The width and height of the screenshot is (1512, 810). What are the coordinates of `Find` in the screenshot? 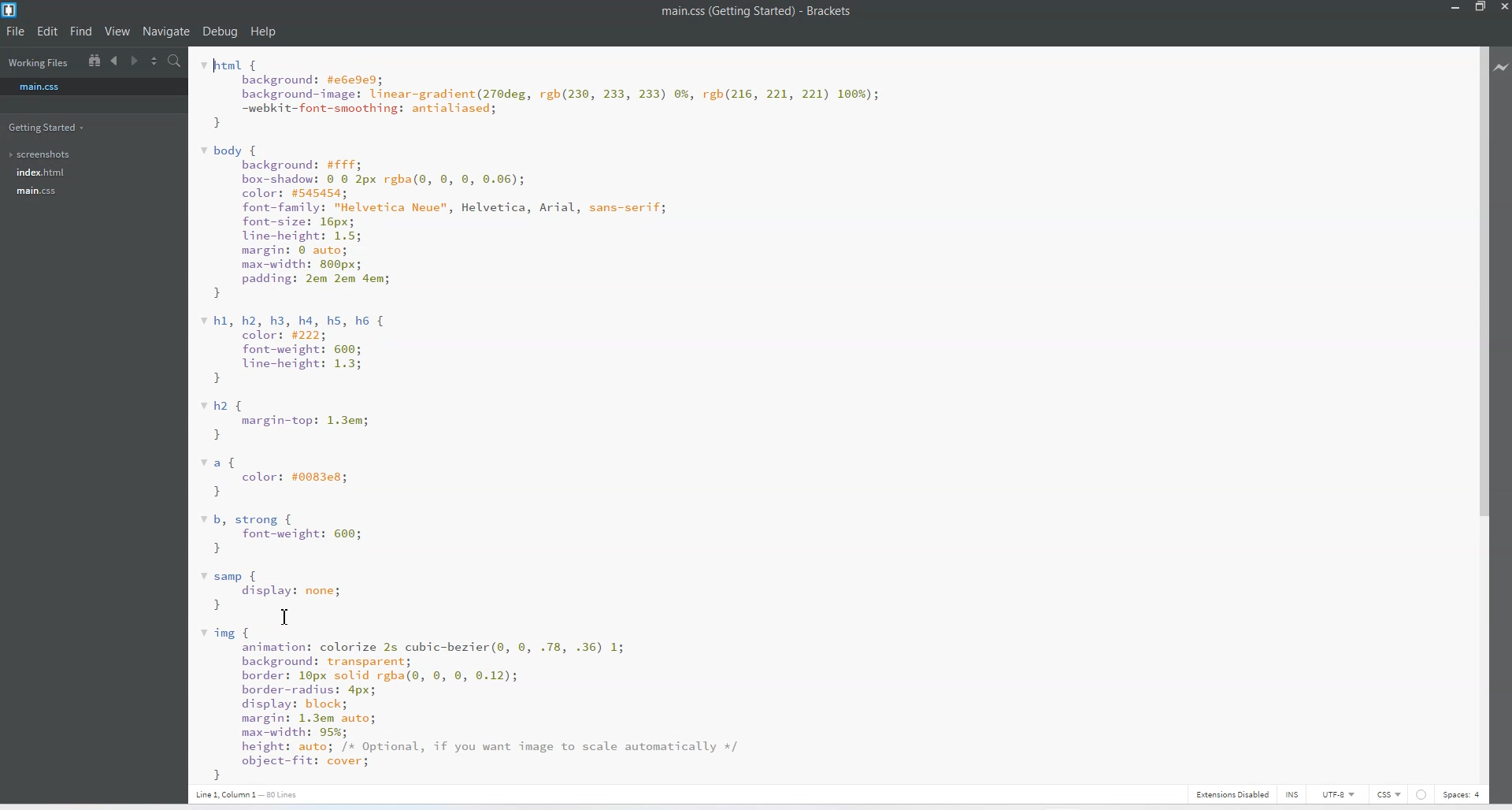 It's located at (81, 32).